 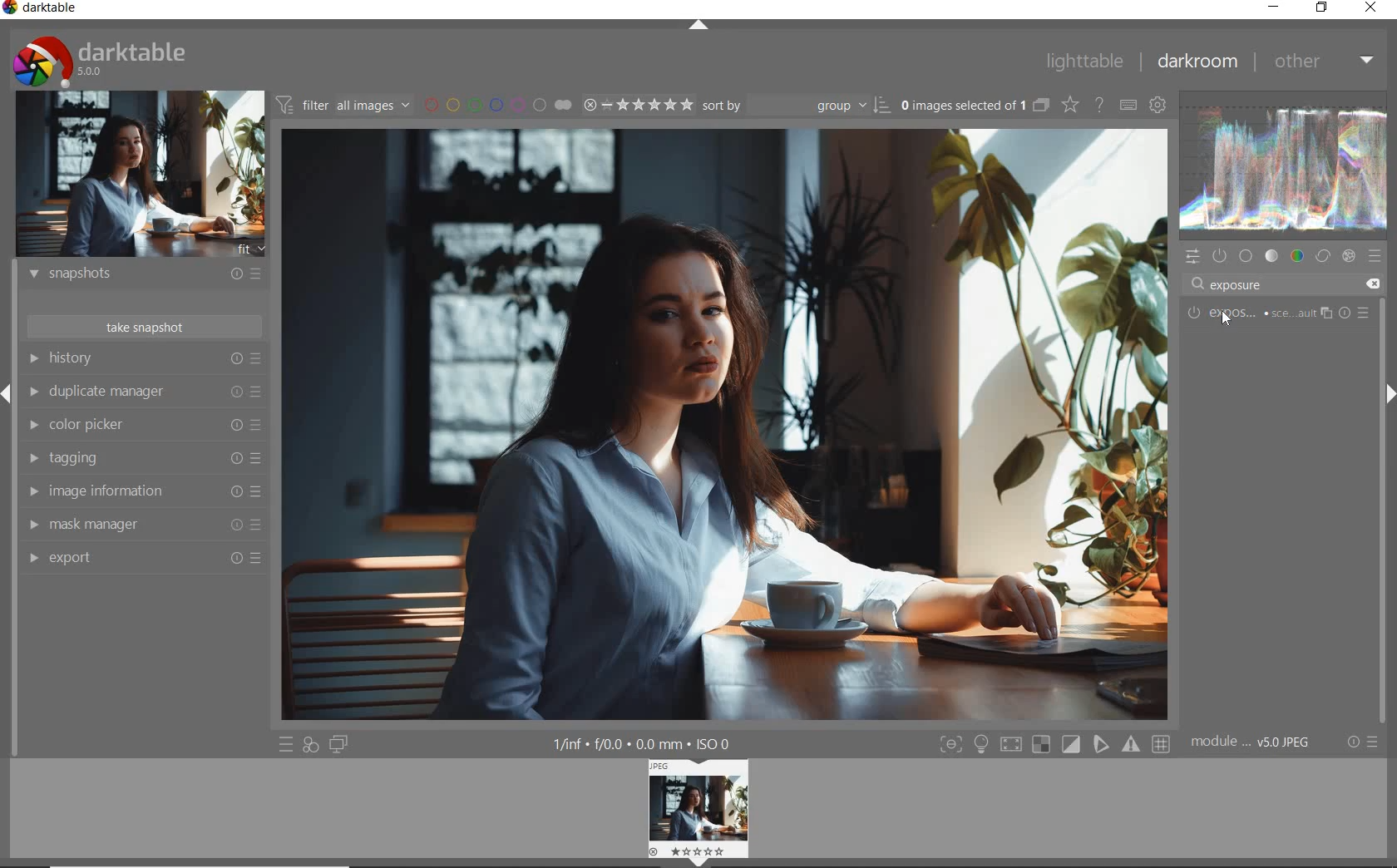 I want to click on color picker, so click(x=146, y=425).